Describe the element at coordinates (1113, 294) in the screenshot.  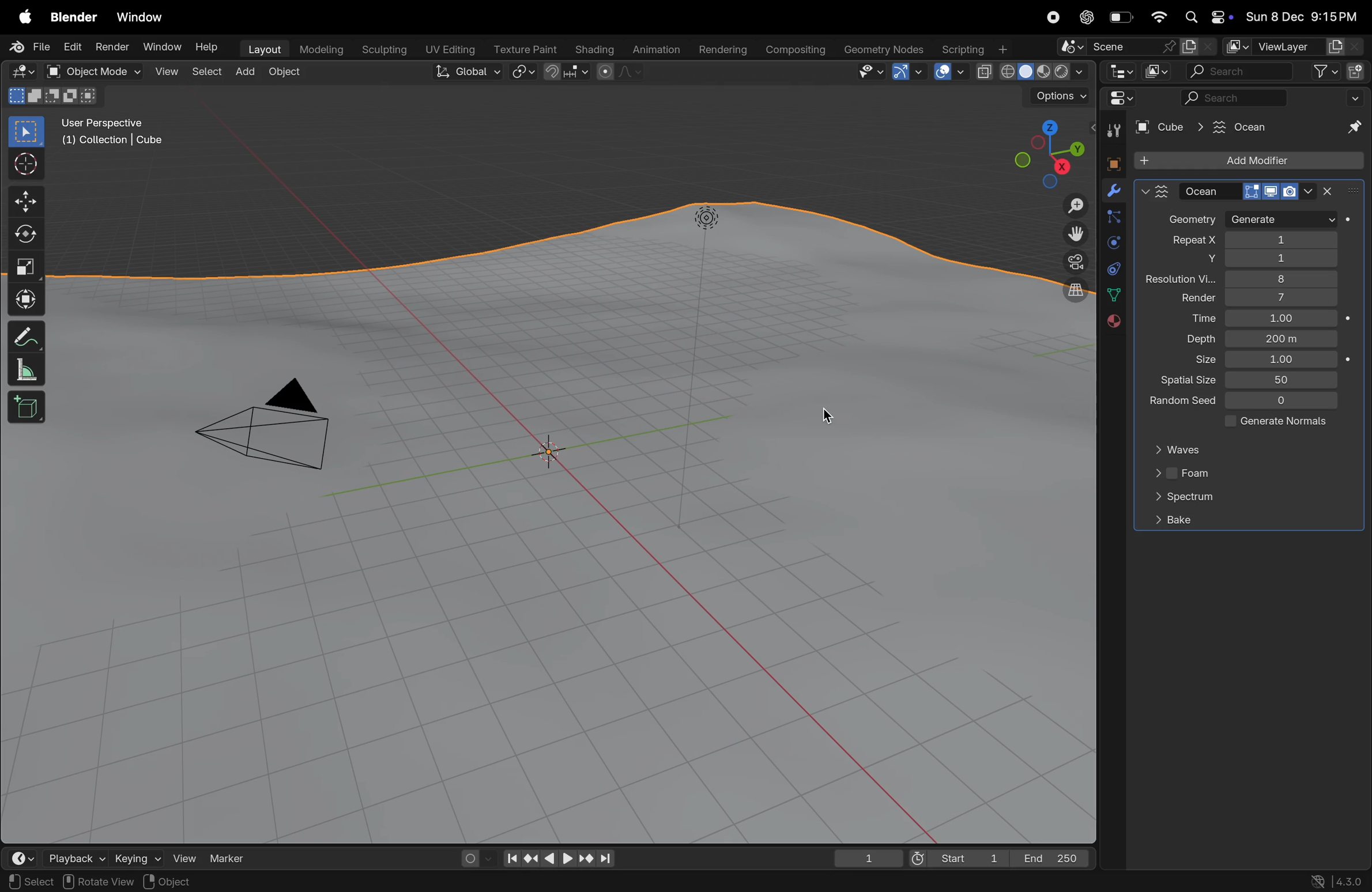
I see `data` at that location.